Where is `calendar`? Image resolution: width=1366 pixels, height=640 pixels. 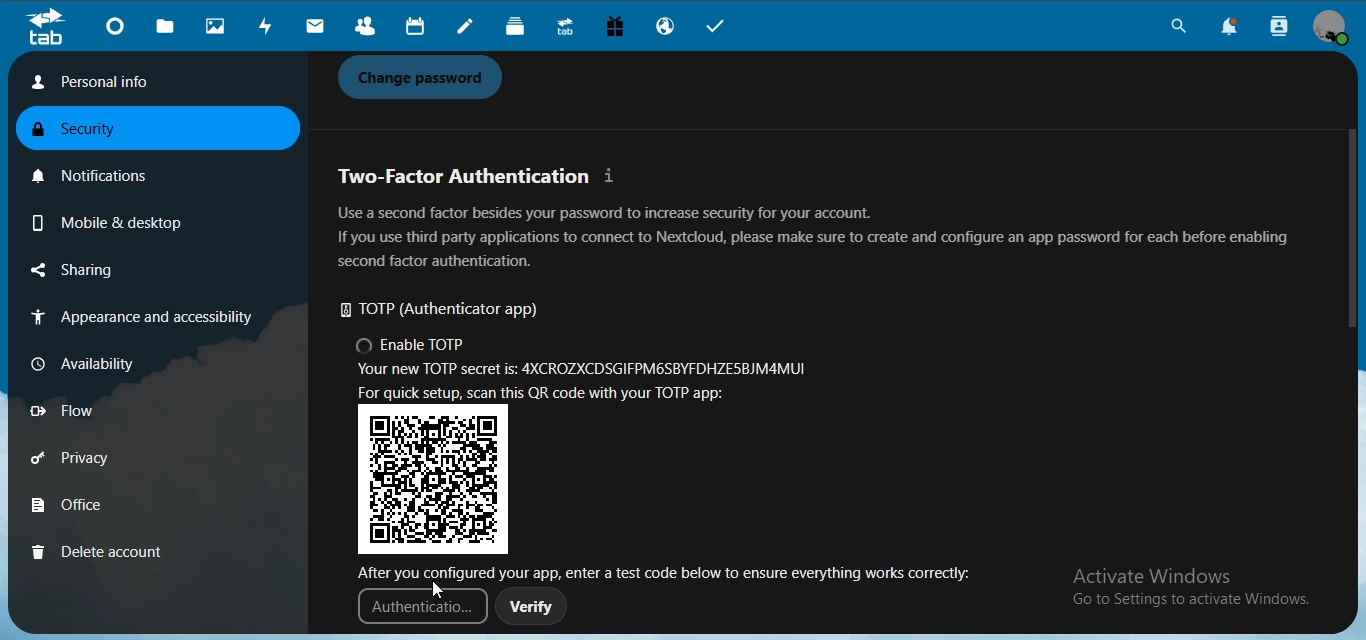
calendar is located at coordinates (413, 27).